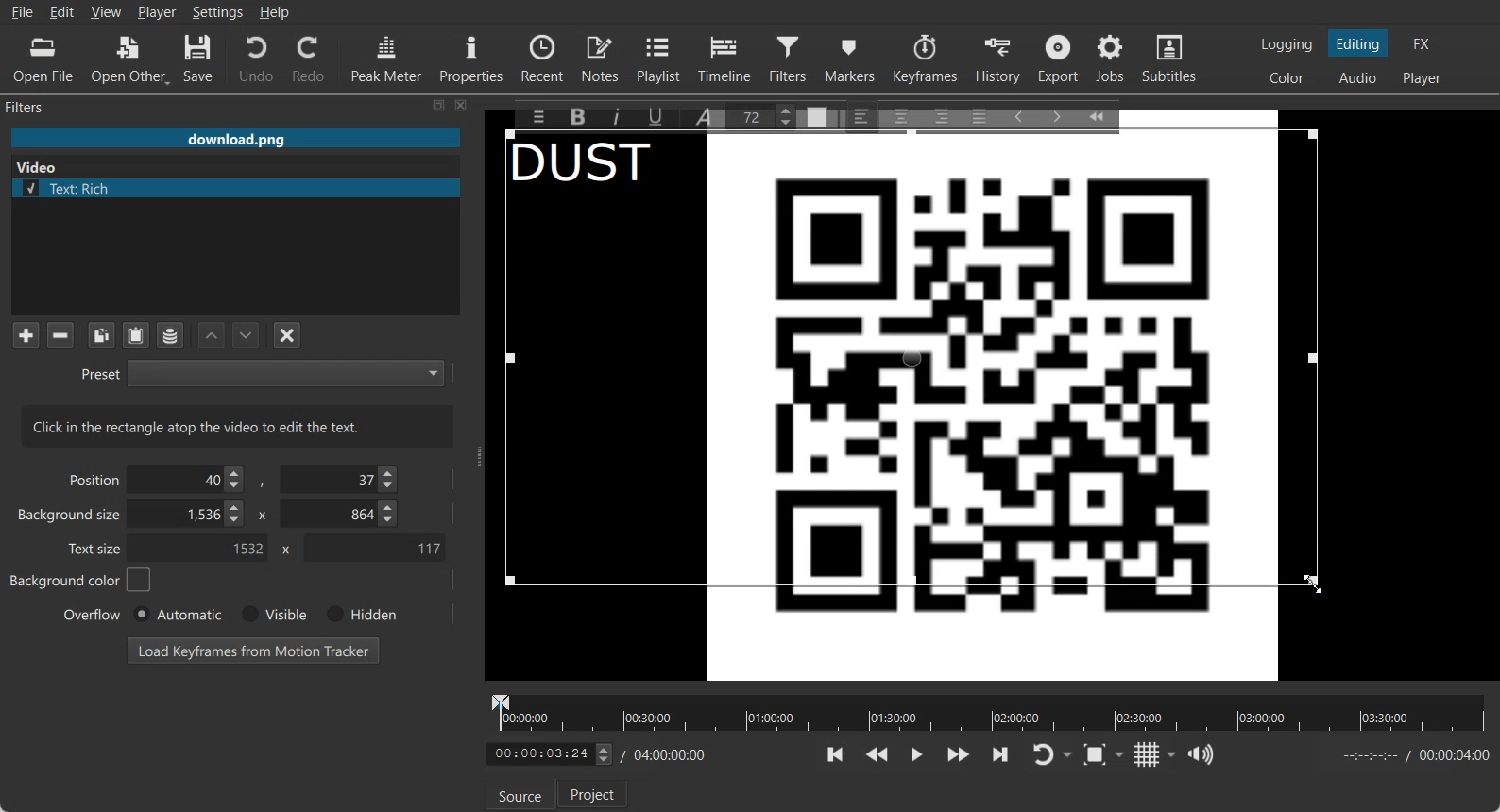 The height and width of the screenshot is (812, 1500). What do you see at coordinates (666, 754) in the screenshot?
I see `Timing ` at bounding box center [666, 754].